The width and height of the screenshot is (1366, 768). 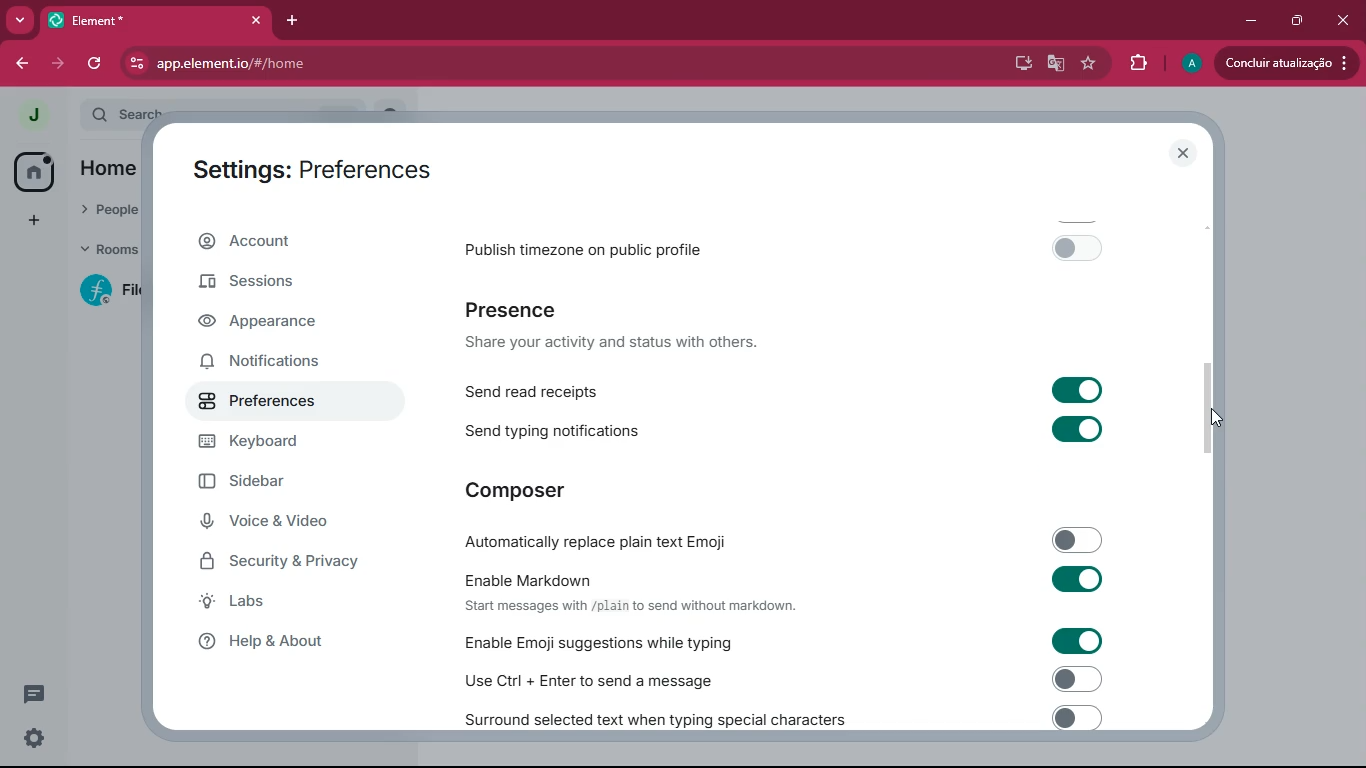 What do you see at coordinates (1092, 64) in the screenshot?
I see `favourite` at bounding box center [1092, 64].